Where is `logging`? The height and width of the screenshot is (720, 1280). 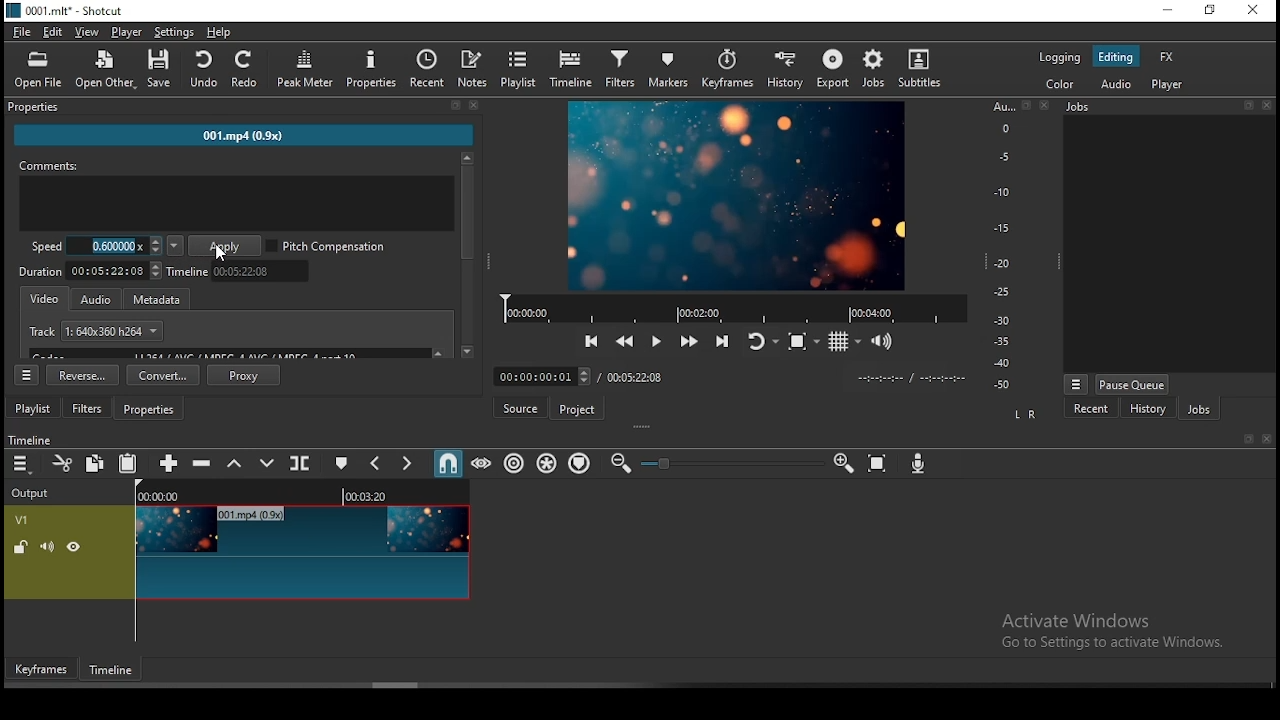
logging is located at coordinates (1061, 56).